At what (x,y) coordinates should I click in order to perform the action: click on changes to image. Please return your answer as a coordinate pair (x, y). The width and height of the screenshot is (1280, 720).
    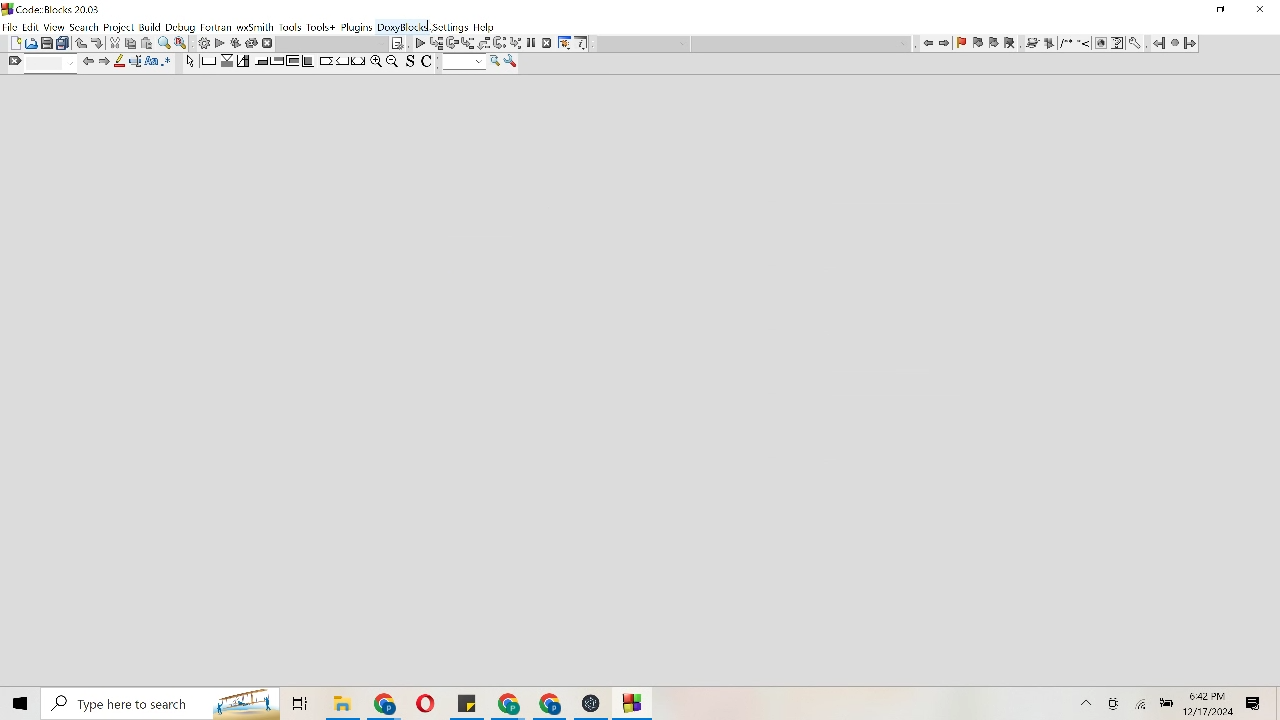
    Looking at the image, I should click on (1073, 44).